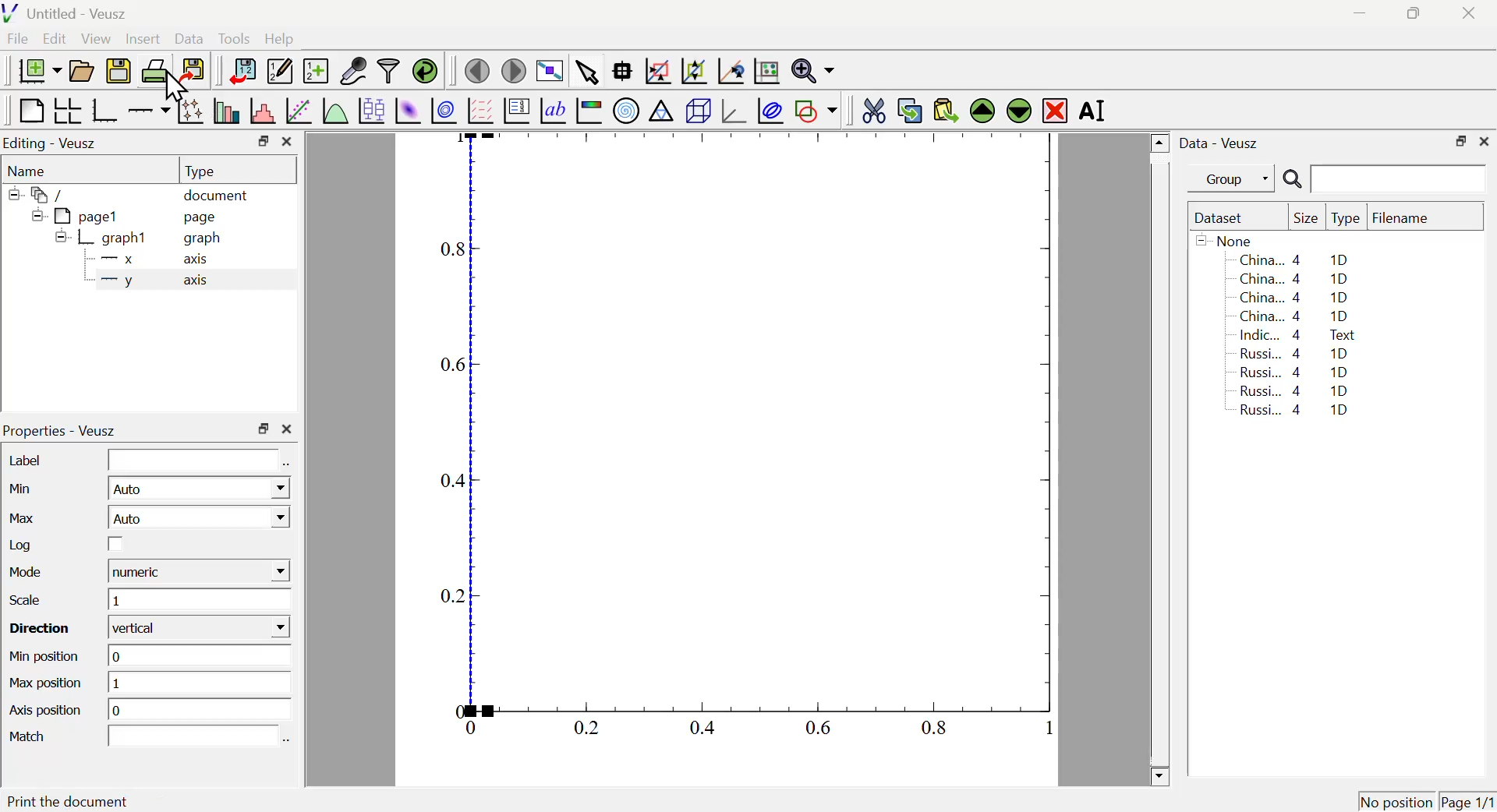 The height and width of the screenshot is (812, 1497). Describe the element at coordinates (115, 544) in the screenshot. I see `Checkbox` at that location.